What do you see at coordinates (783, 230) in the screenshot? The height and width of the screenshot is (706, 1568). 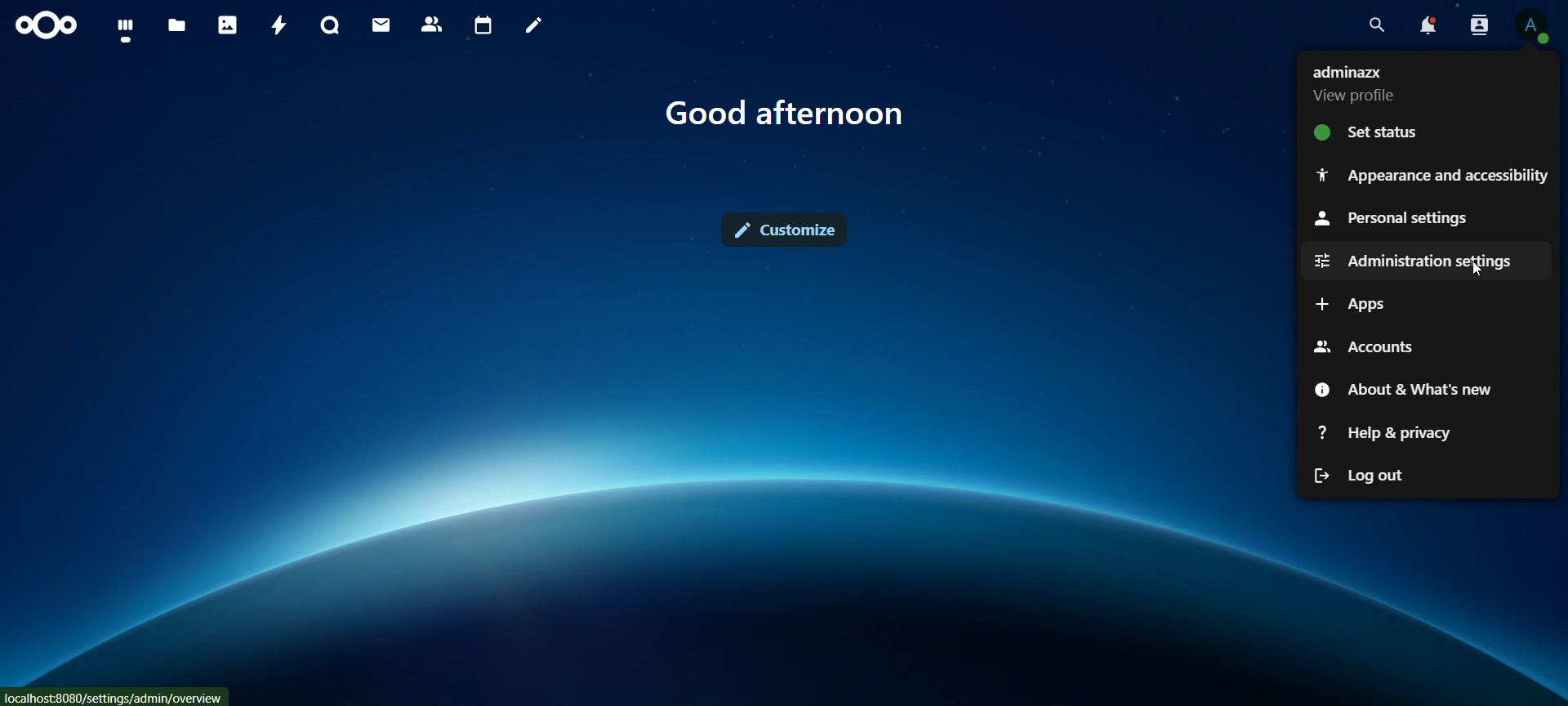 I see `customize` at bounding box center [783, 230].